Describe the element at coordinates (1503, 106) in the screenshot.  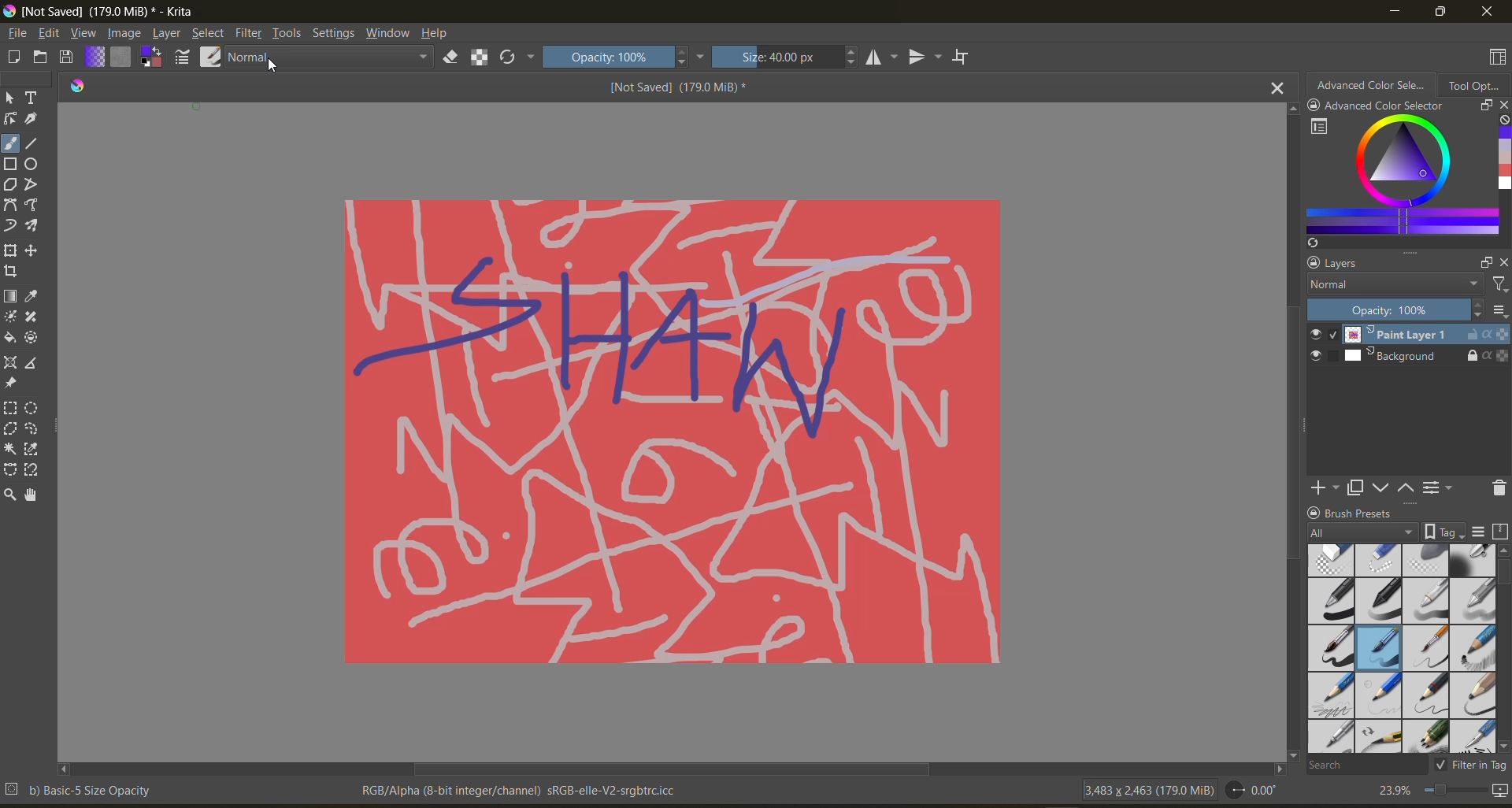
I see `close docker` at that location.